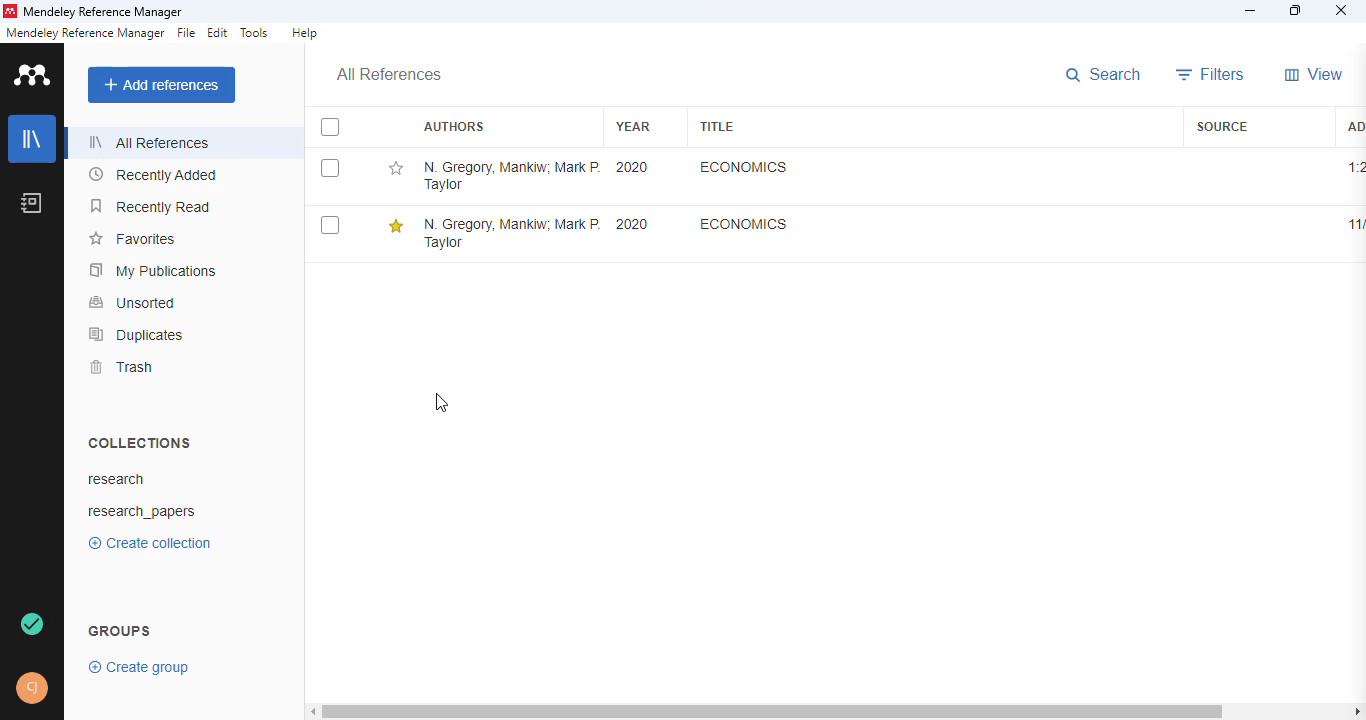 The width and height of the screenshot is (1366, 720). What do you see at coordinates (139, 442) in the screenshot?
I see `collections` at bounding box center [139, 442].